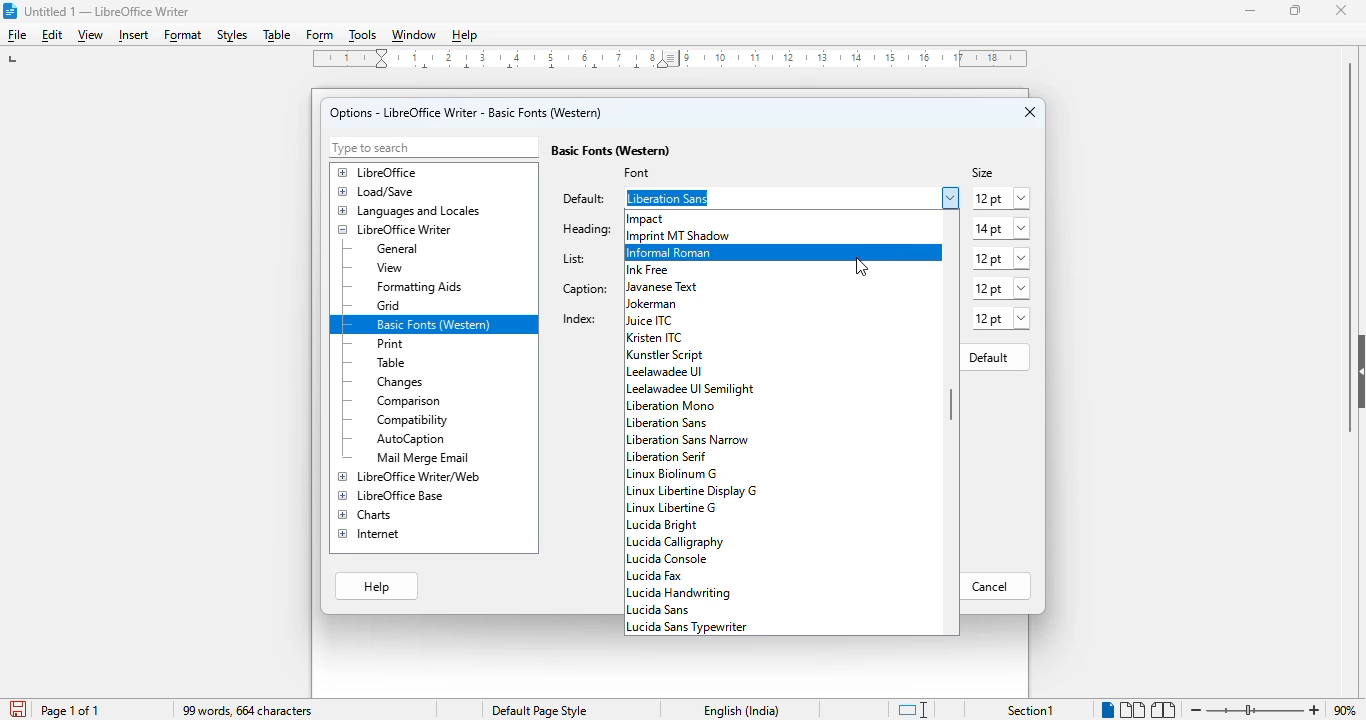  I want to click on help, so click(375, 586).